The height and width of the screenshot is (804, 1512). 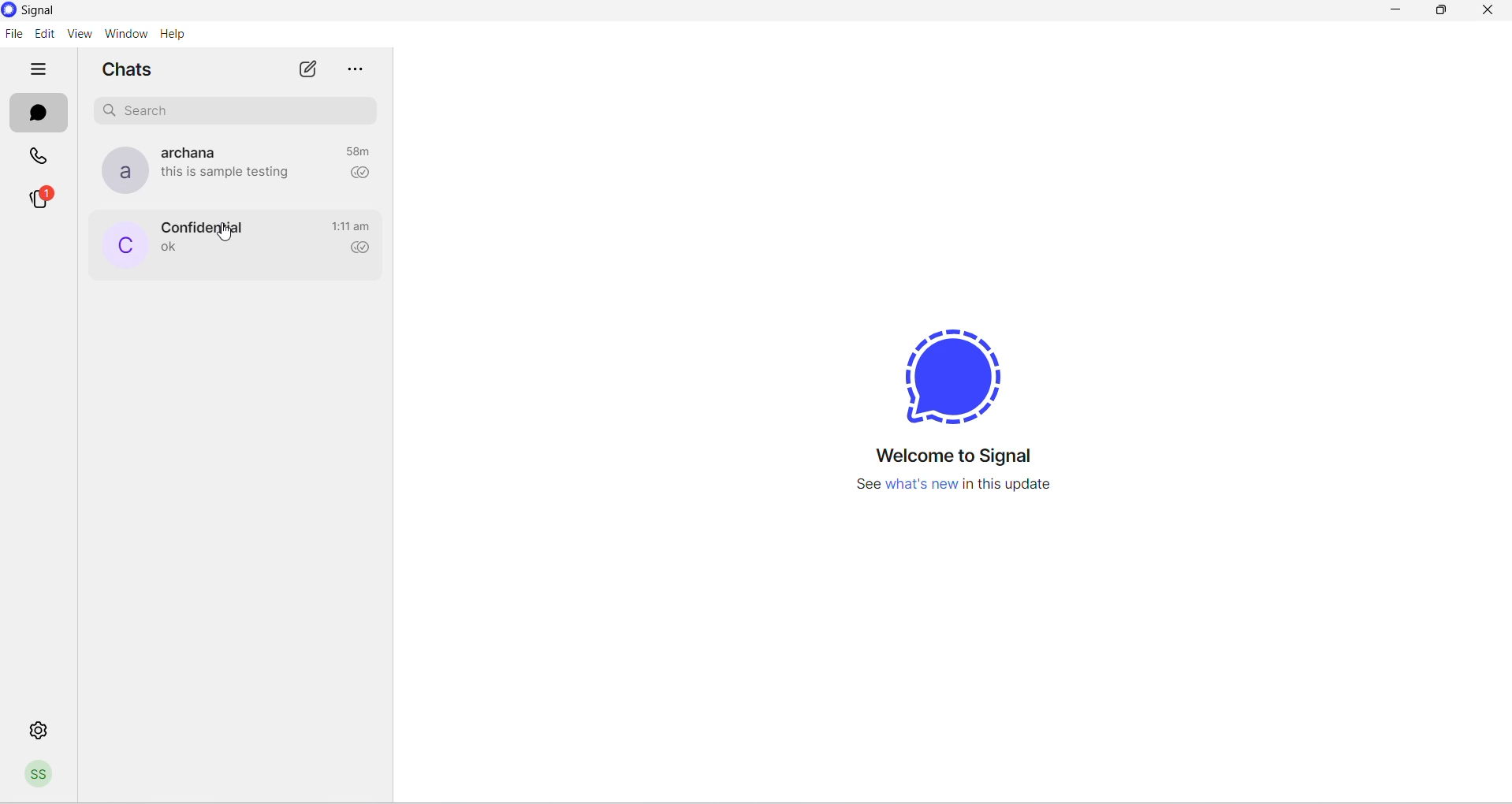 I want to click on hide, so click(x=41, y=70).